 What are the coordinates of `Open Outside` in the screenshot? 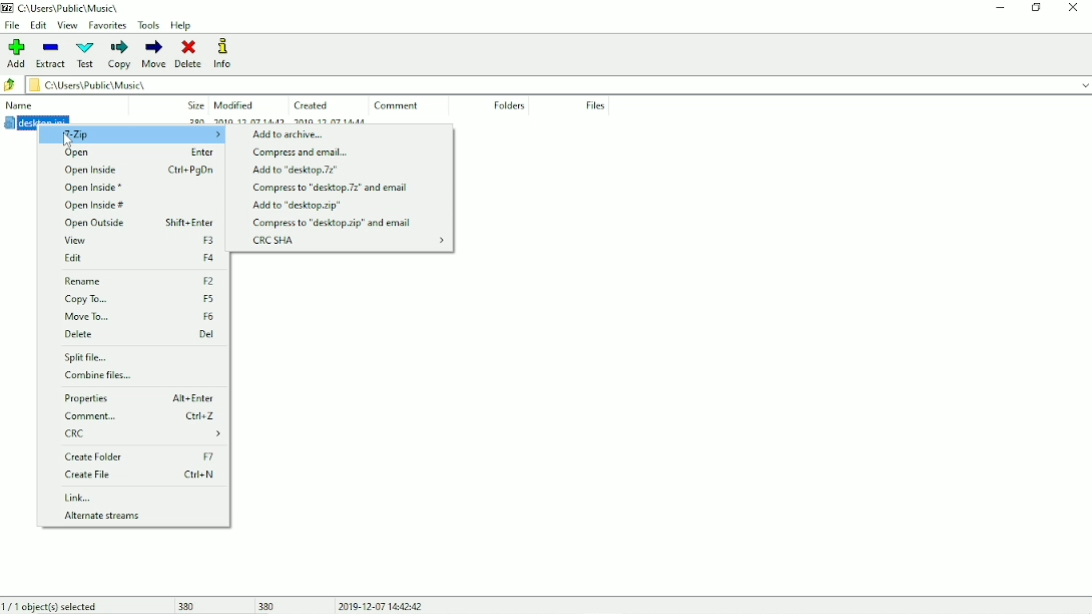 It's located at (137, 224).